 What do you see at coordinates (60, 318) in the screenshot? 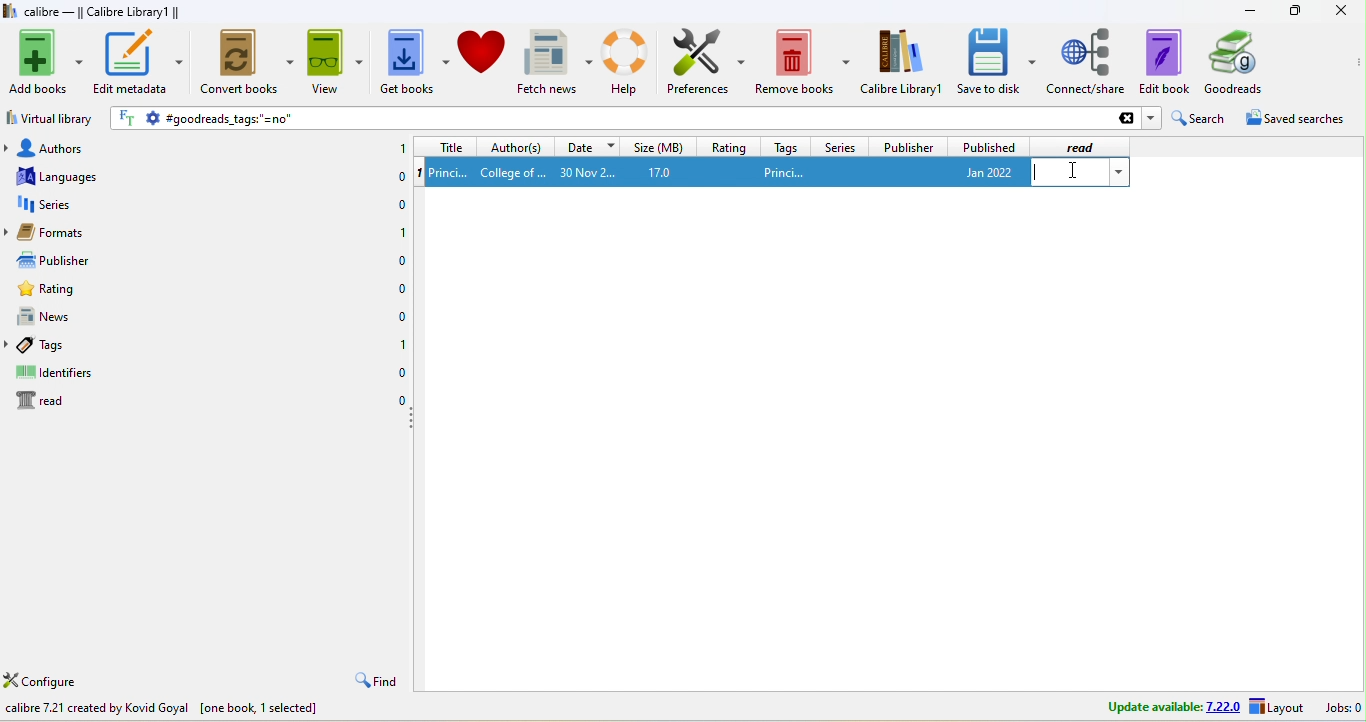
I see `news` at bounding box center [60, 318].